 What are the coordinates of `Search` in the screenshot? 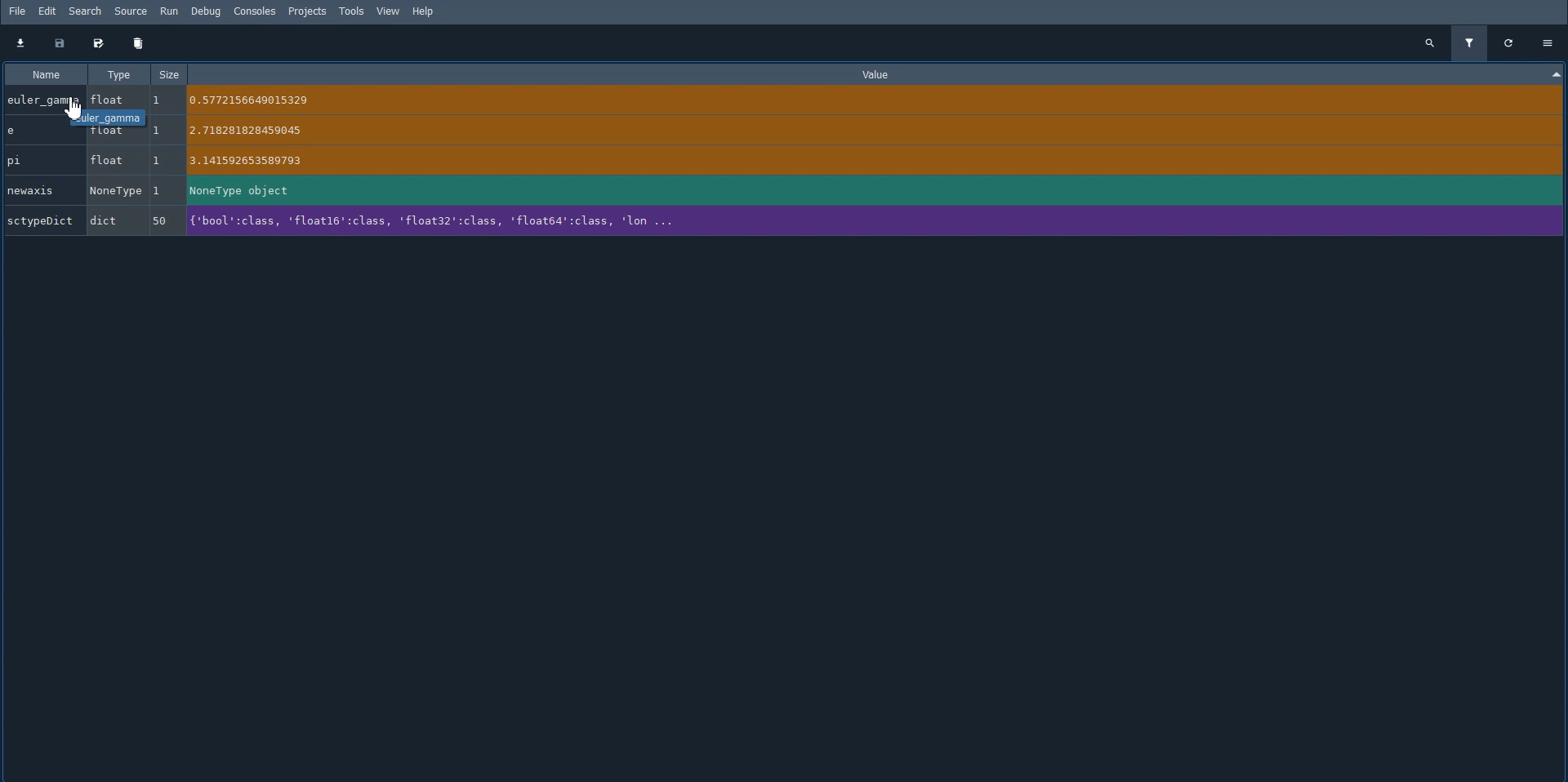 It's located at (86, 11).